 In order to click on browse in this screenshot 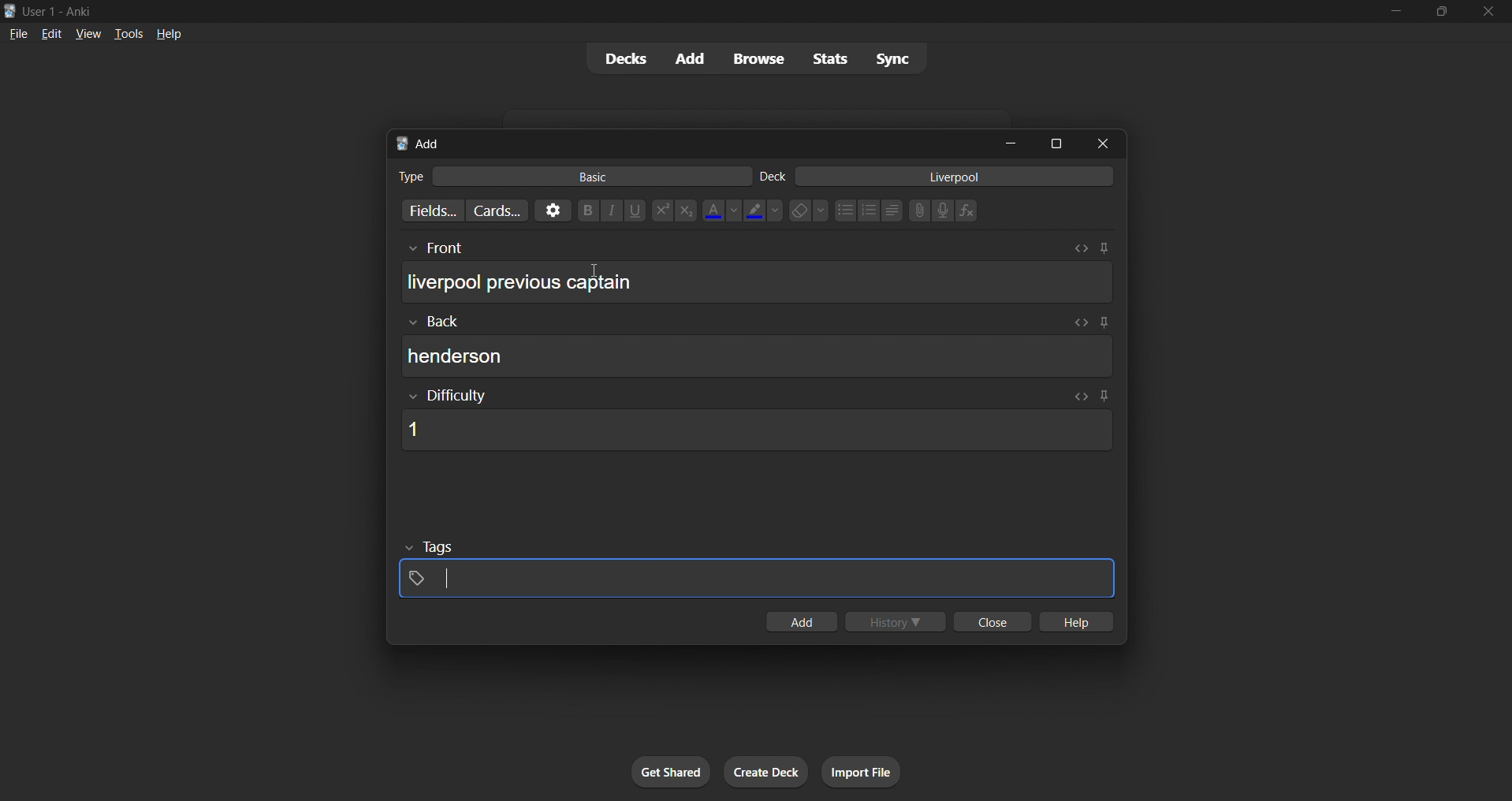, I will do `click(755, 58)`.